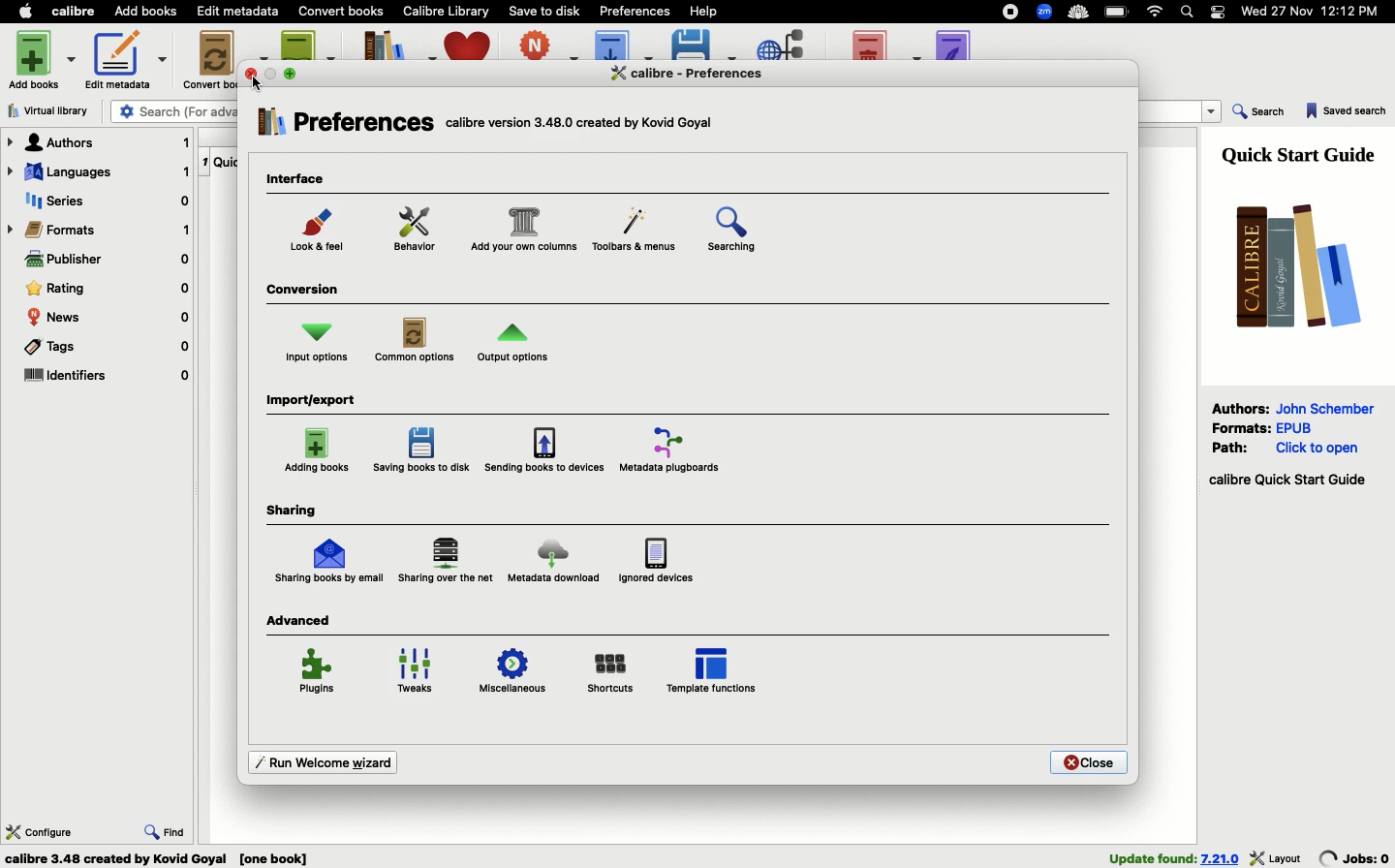 This screenshot has width=1395, height=868. What do you see at coordinates (301, 180) in the screenshot?
I see `Interface` at bounding box center [301, 180].